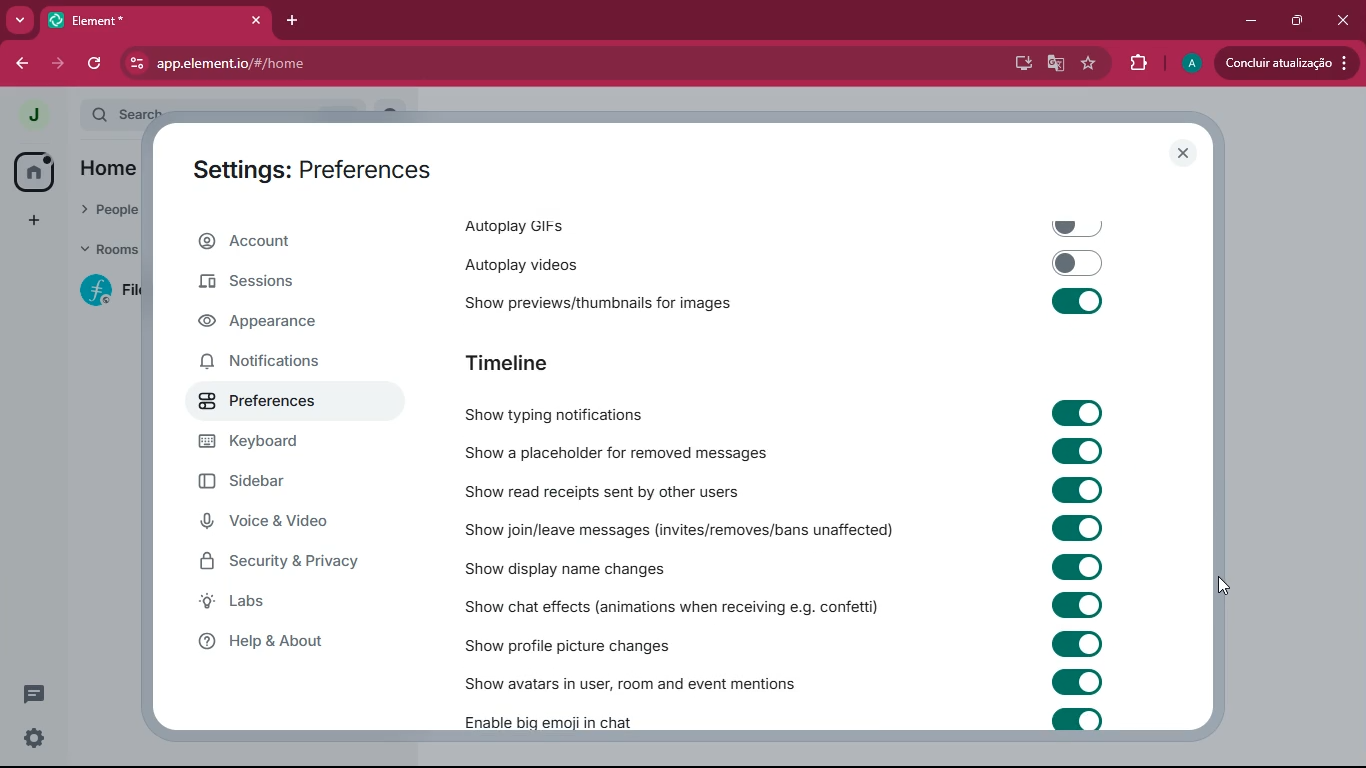  Describe the element at coordinates (32, 172) in the screenshot. I see `home` at that location.